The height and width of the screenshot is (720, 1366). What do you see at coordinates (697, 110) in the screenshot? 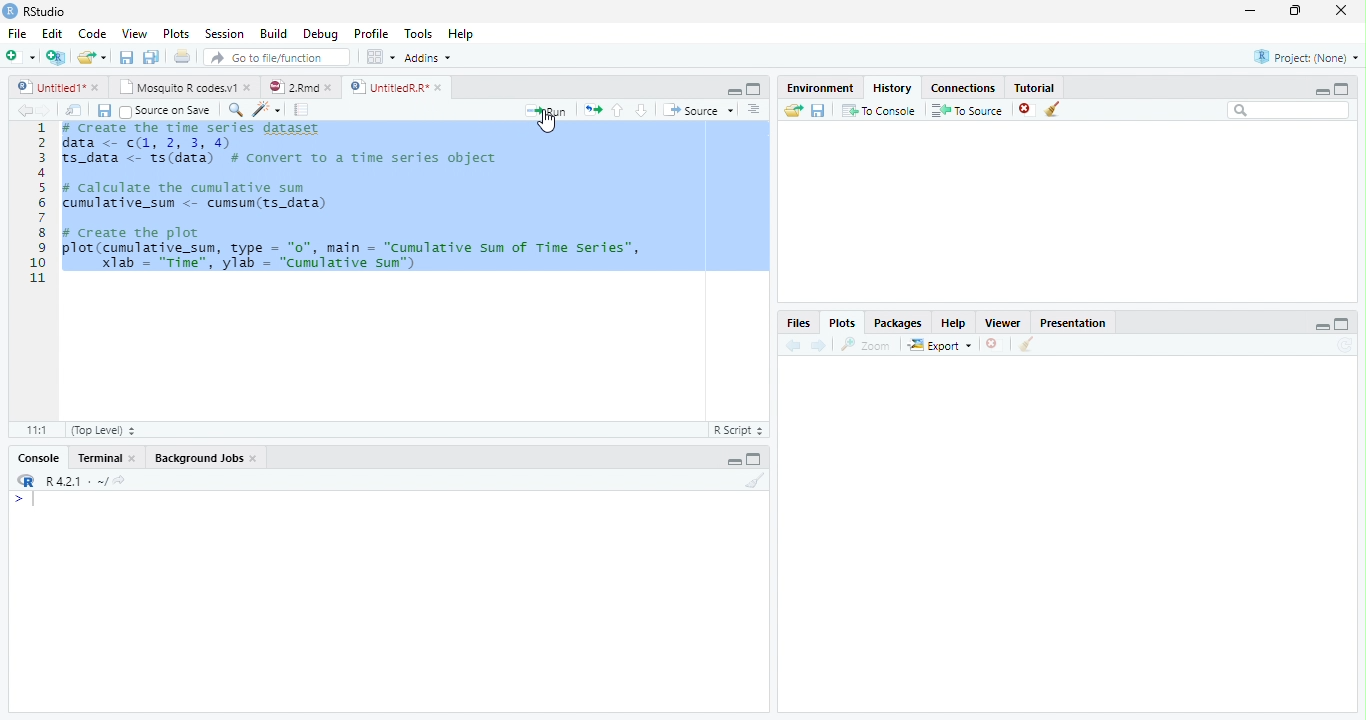
I see `Source` at bounding box center [697, 110].